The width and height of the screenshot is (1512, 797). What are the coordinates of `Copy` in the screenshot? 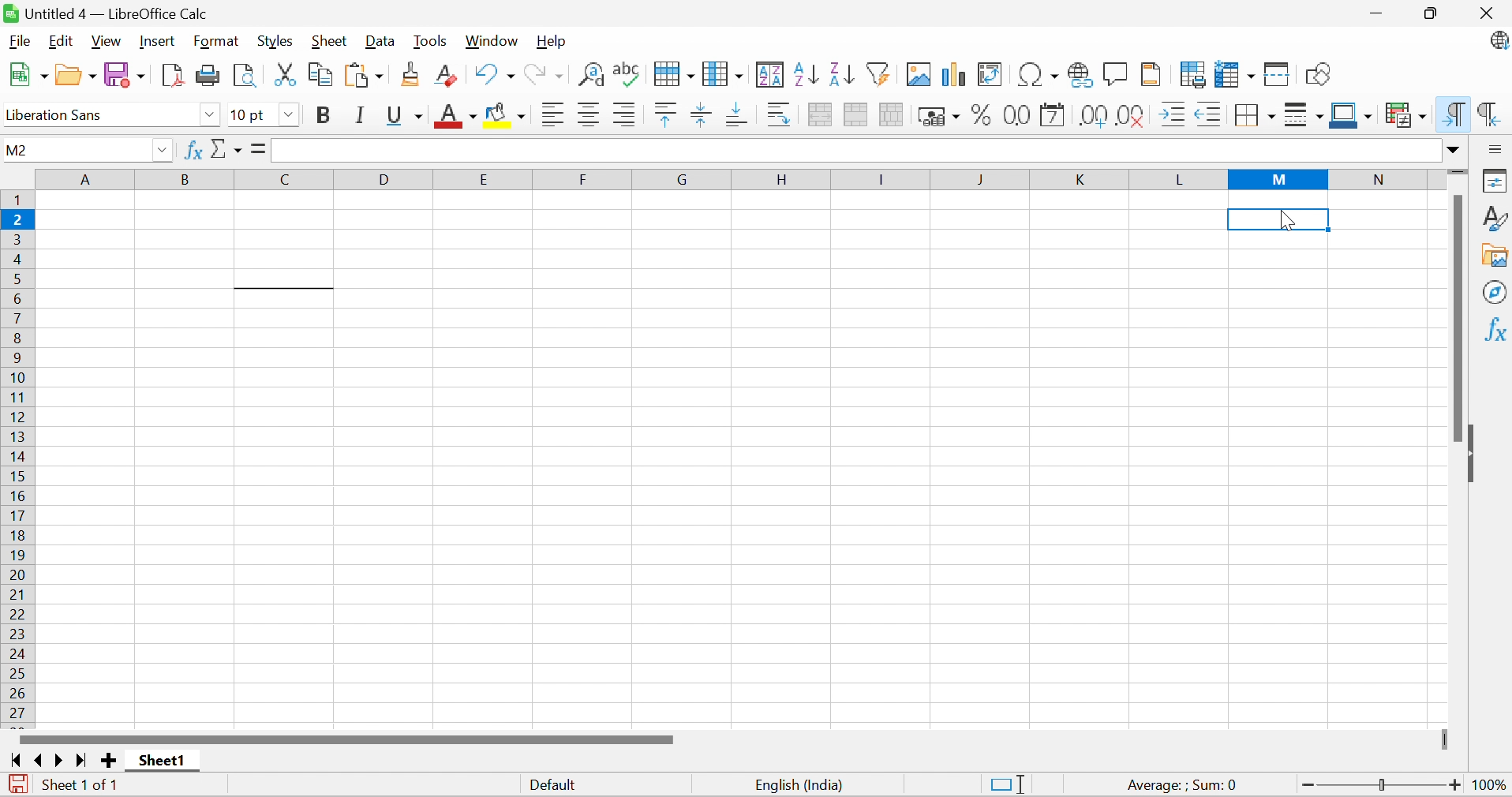 It's located at (321, 73).